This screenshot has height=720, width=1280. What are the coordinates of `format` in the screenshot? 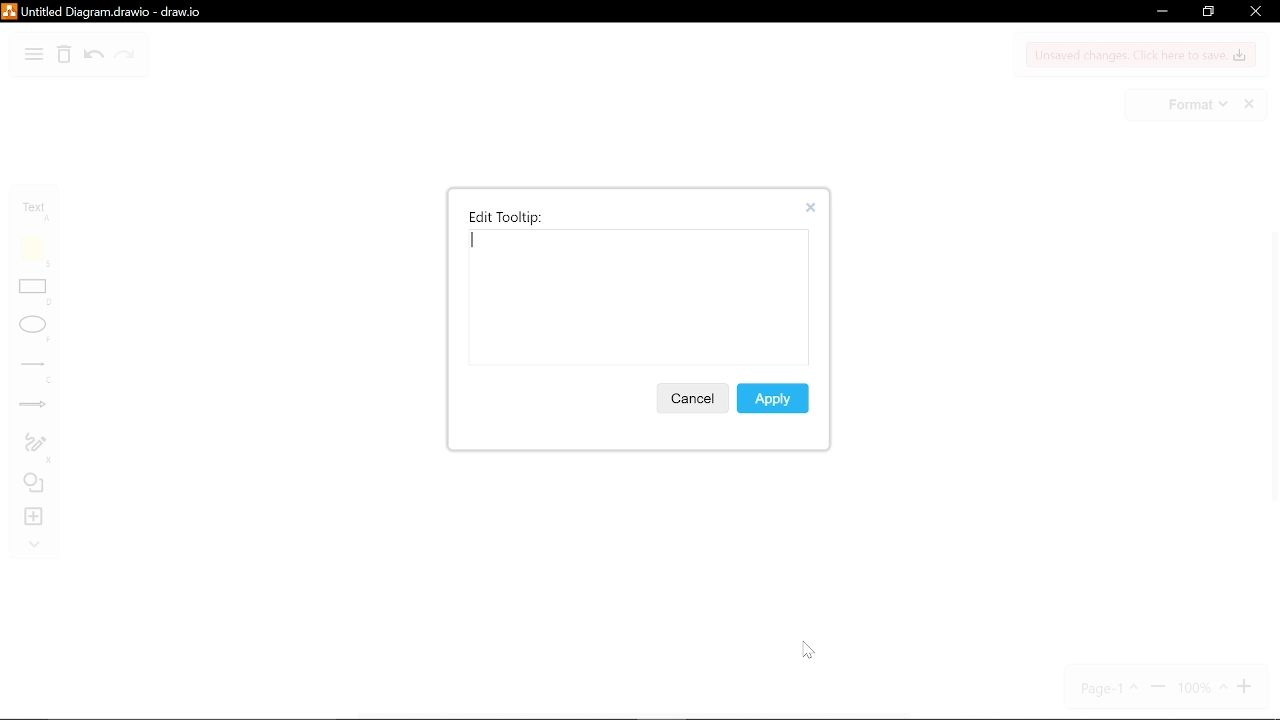 It's located at (1196, 105).